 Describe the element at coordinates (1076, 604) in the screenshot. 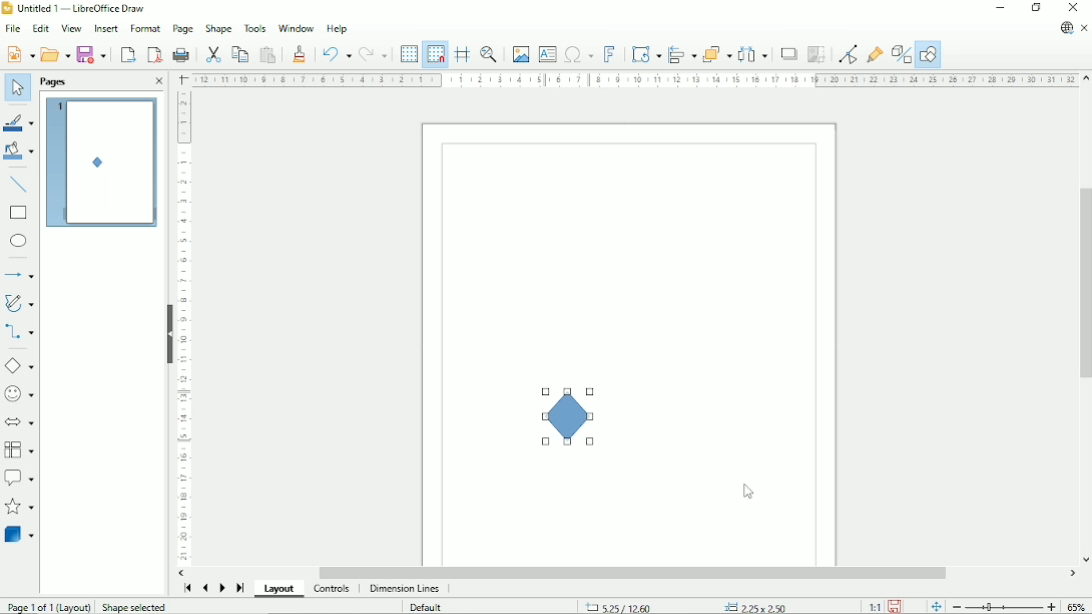

I see `Zoom factor` at that location.